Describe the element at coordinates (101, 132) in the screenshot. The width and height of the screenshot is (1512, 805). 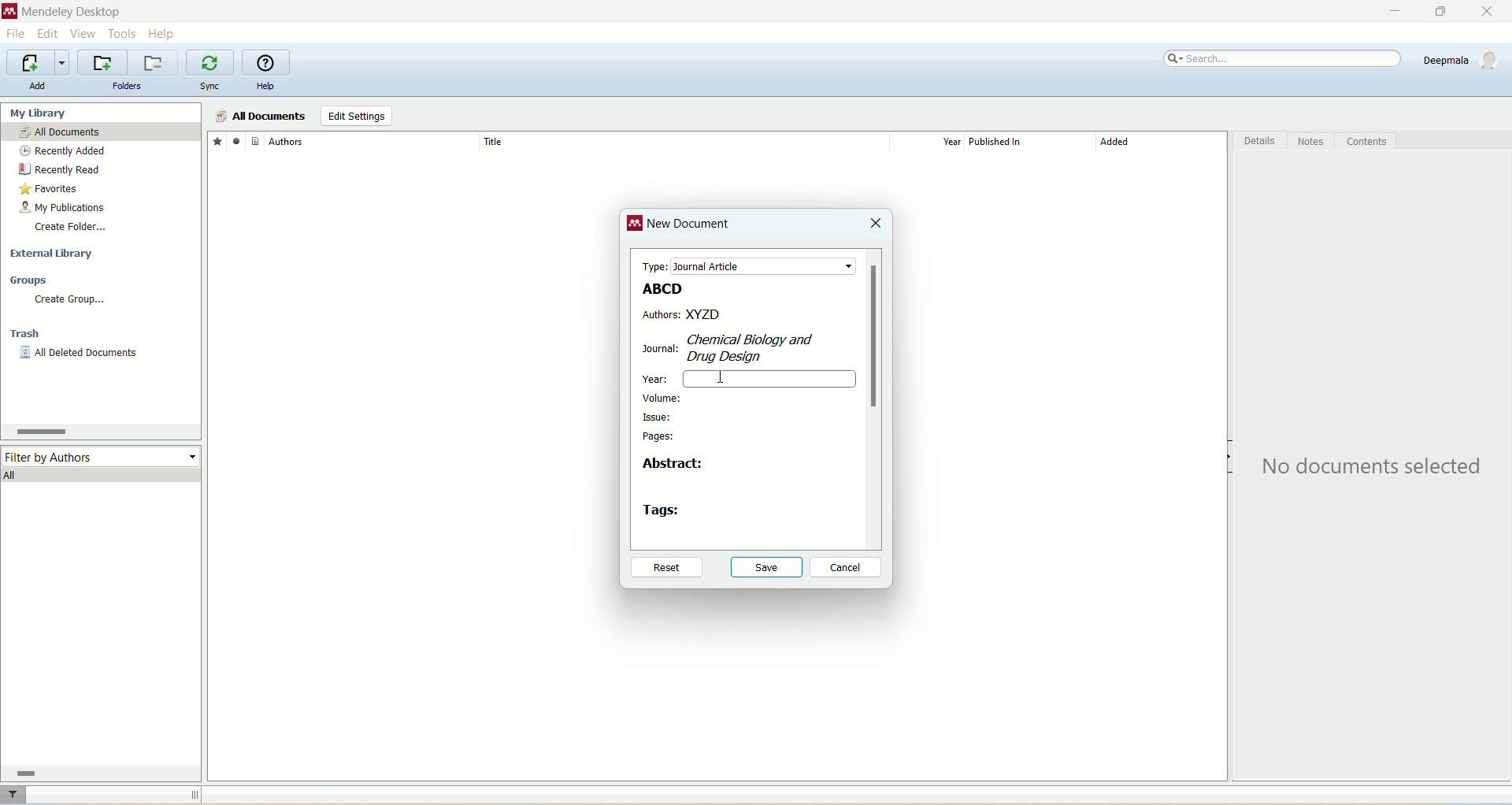
I see `all documents` at that location.